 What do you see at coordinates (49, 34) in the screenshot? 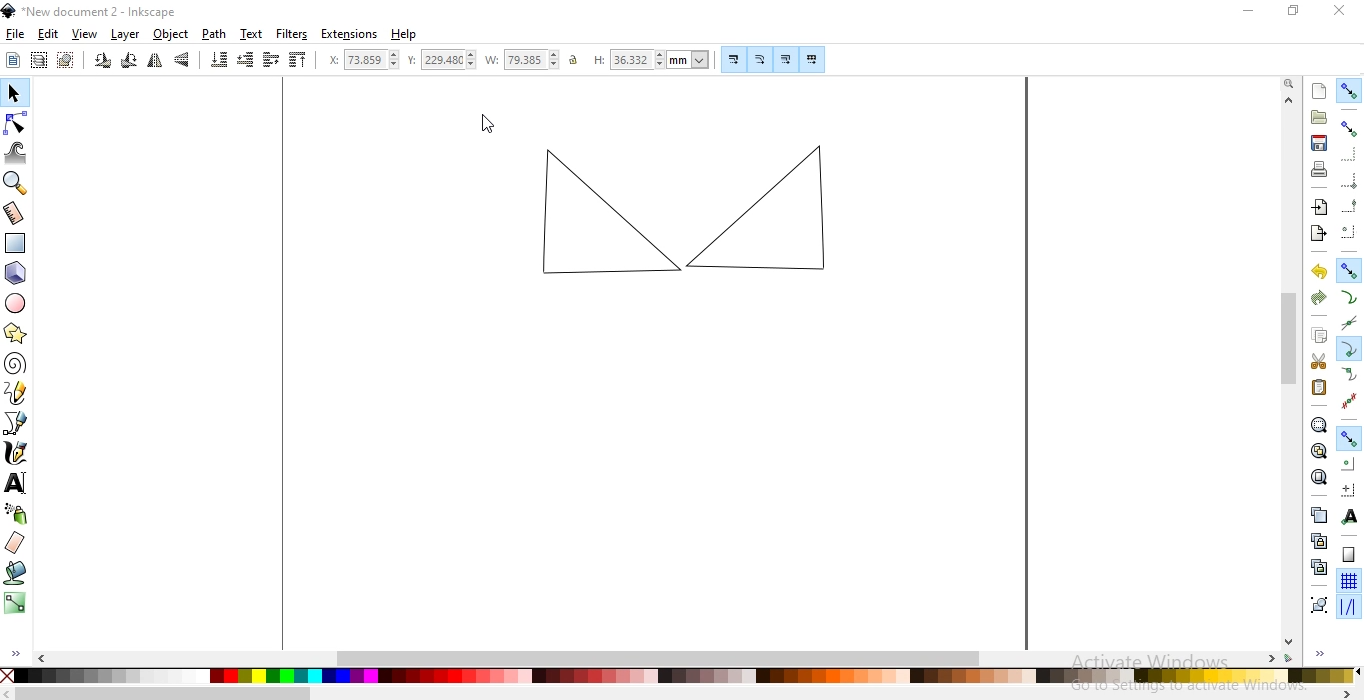
I see `edit` at bounding box center [49, 34].